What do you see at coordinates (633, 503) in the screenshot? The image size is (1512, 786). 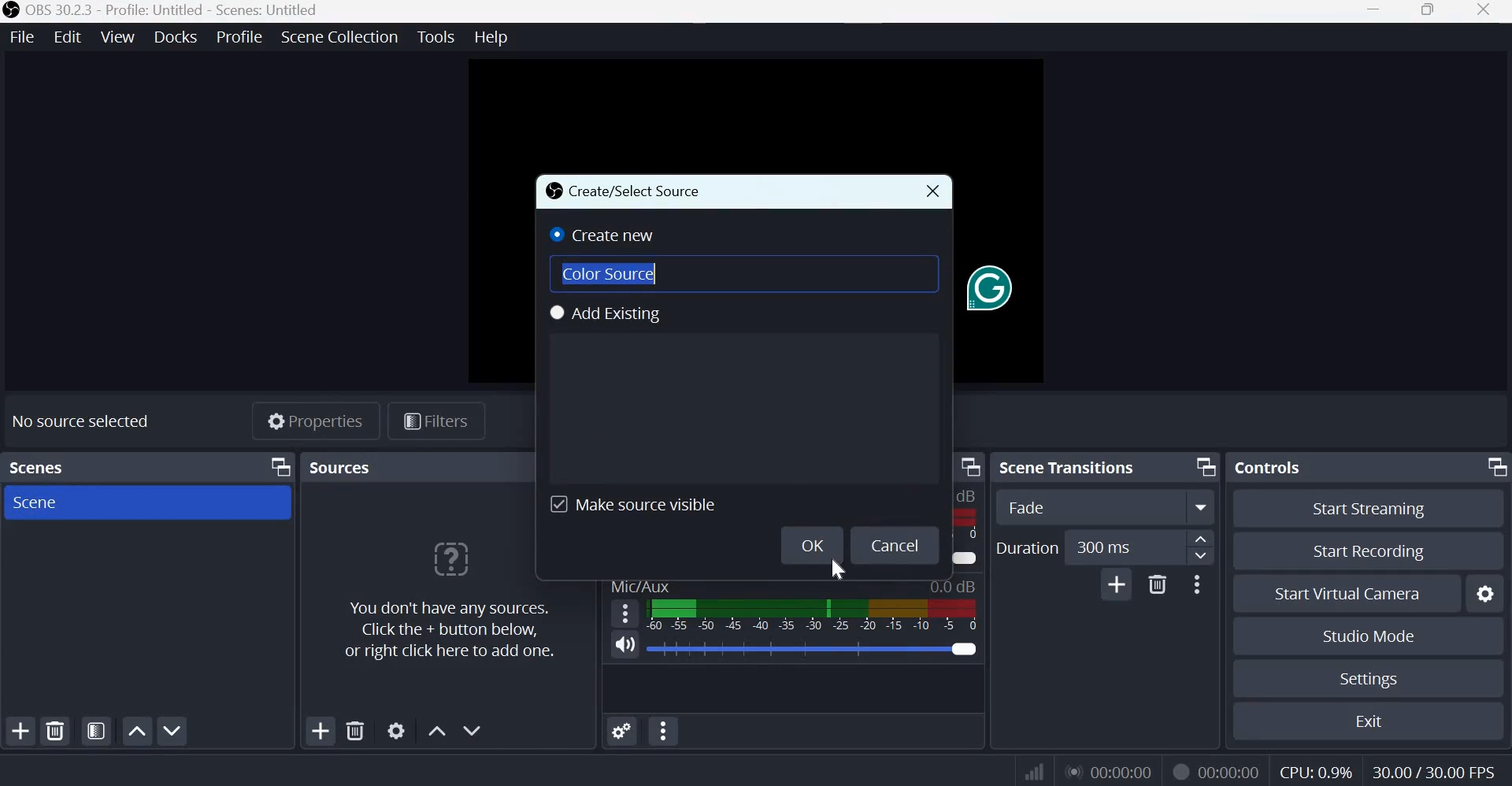 I see `Make source visible` at bounding box center [633, 503].